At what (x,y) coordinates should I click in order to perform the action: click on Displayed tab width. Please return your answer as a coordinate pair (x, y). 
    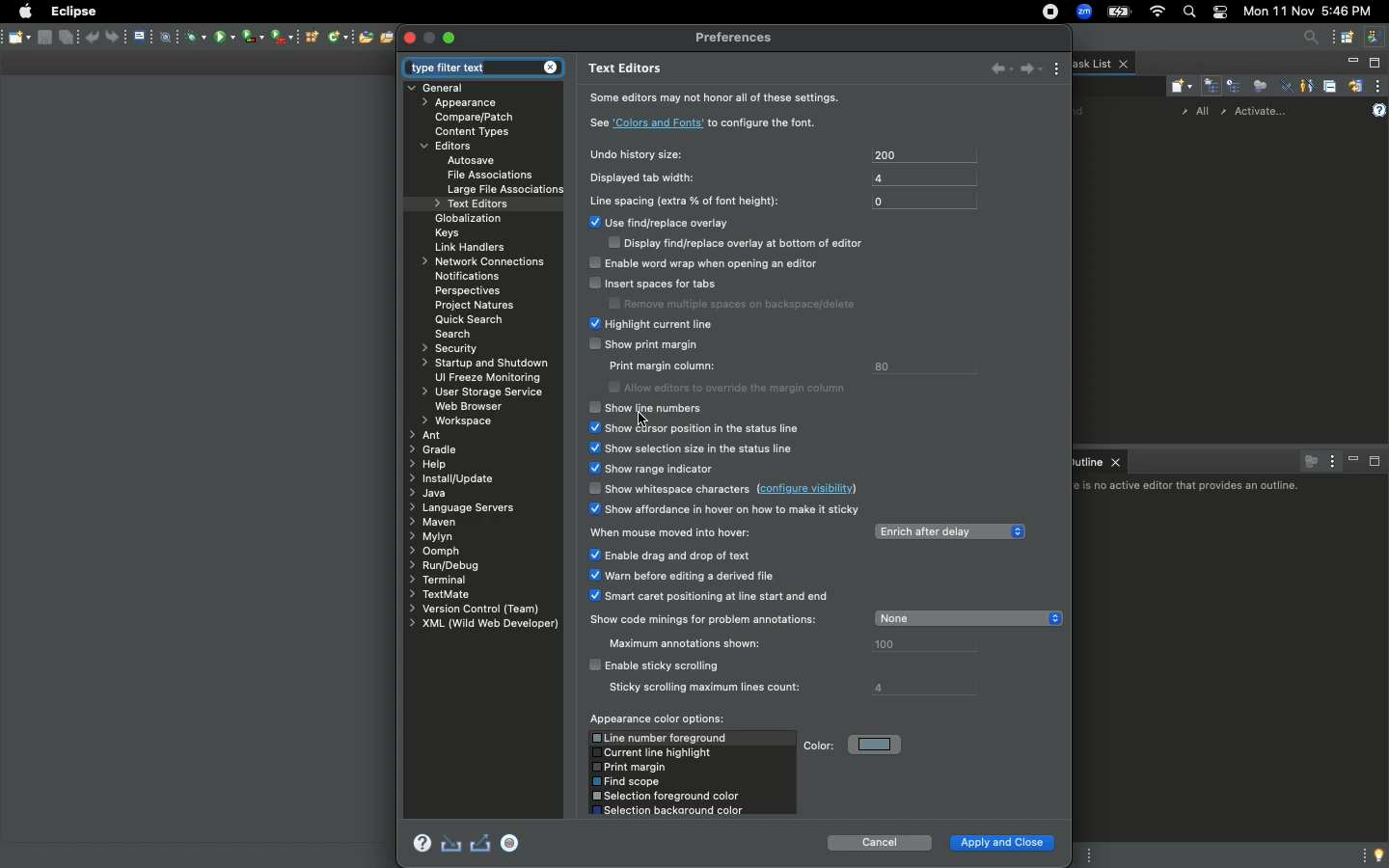
    Looking at the image, I should click on (653, 178).